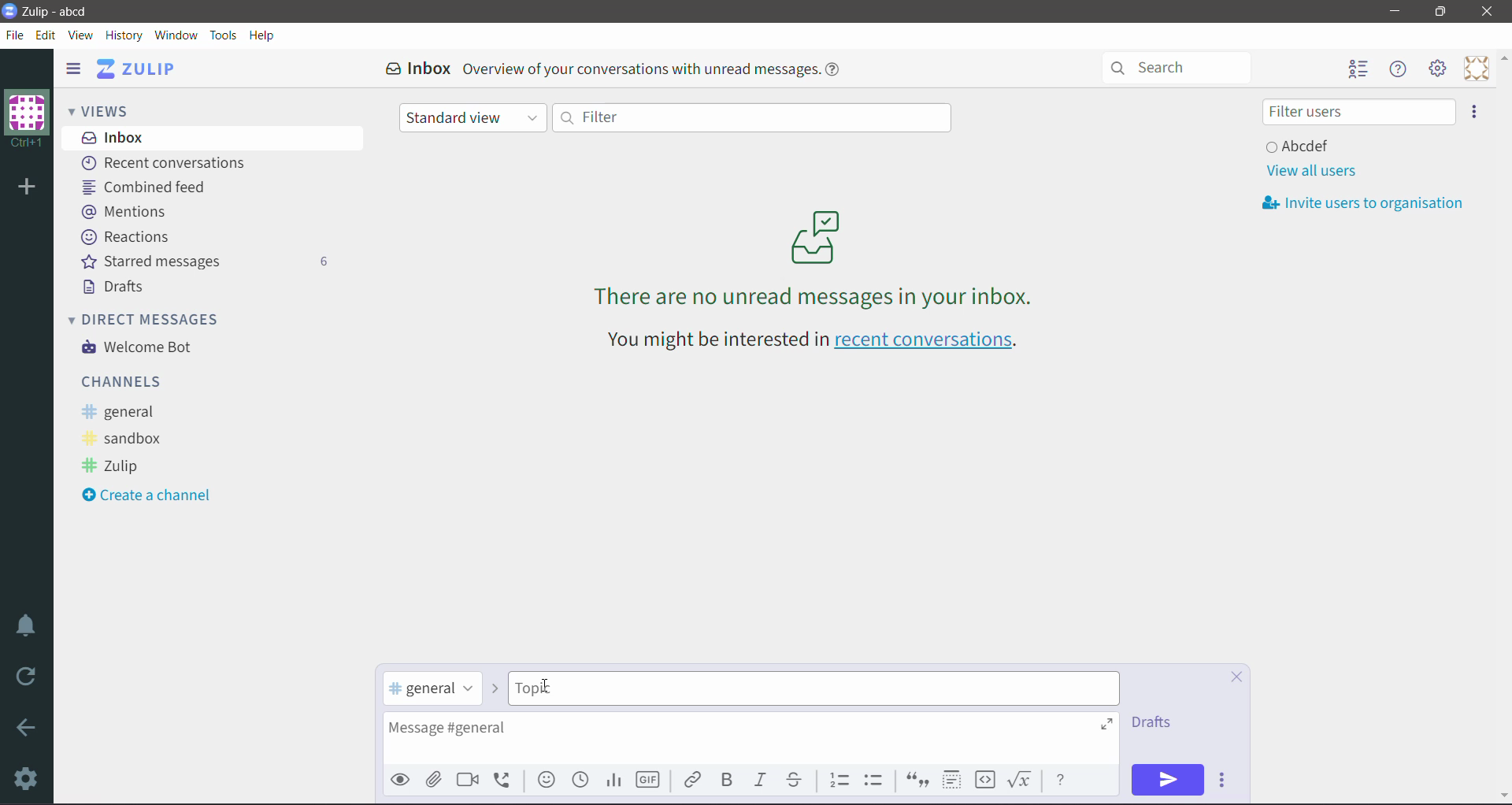 This screenshot has width=1512, height=805. What do you see at coordinates (1184, 66) in the screenshot?
I see `Search` at bounding box center [1184, 66].